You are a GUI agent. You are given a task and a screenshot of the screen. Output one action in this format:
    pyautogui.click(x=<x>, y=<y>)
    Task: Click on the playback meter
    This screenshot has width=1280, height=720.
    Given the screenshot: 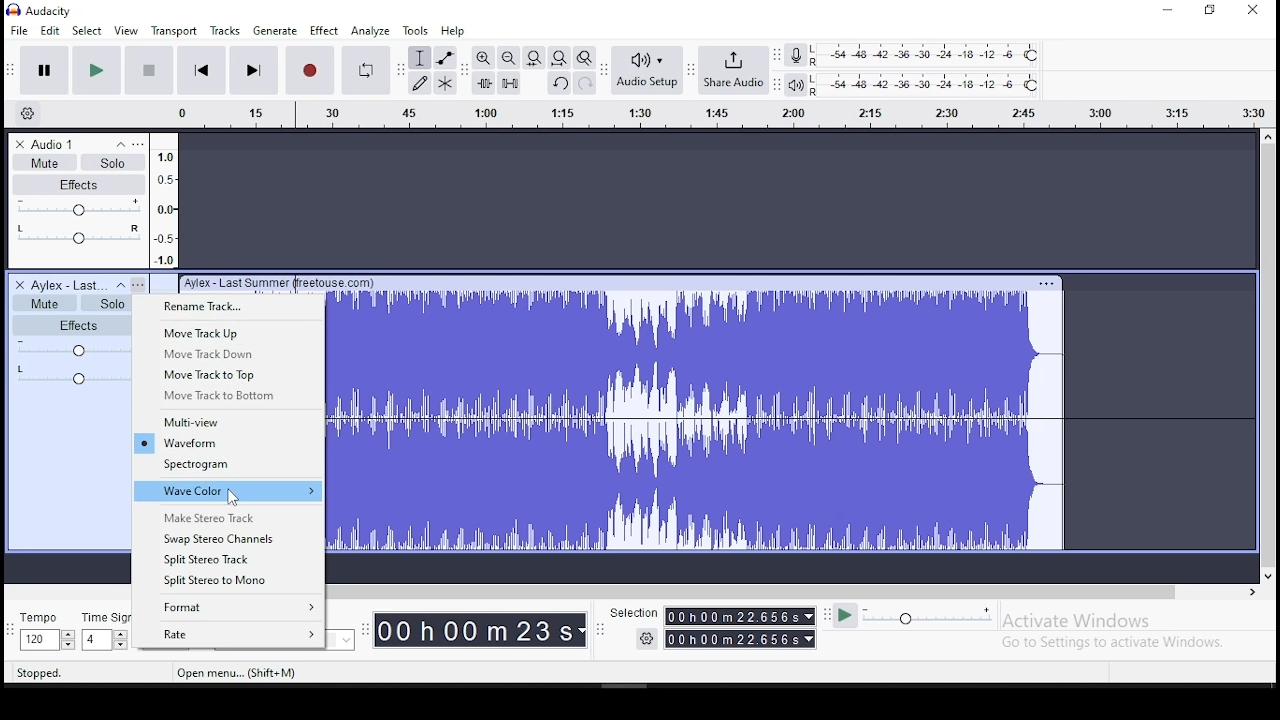 What is the action you would take?
    pyautogui.click(x=795, y=84)
    